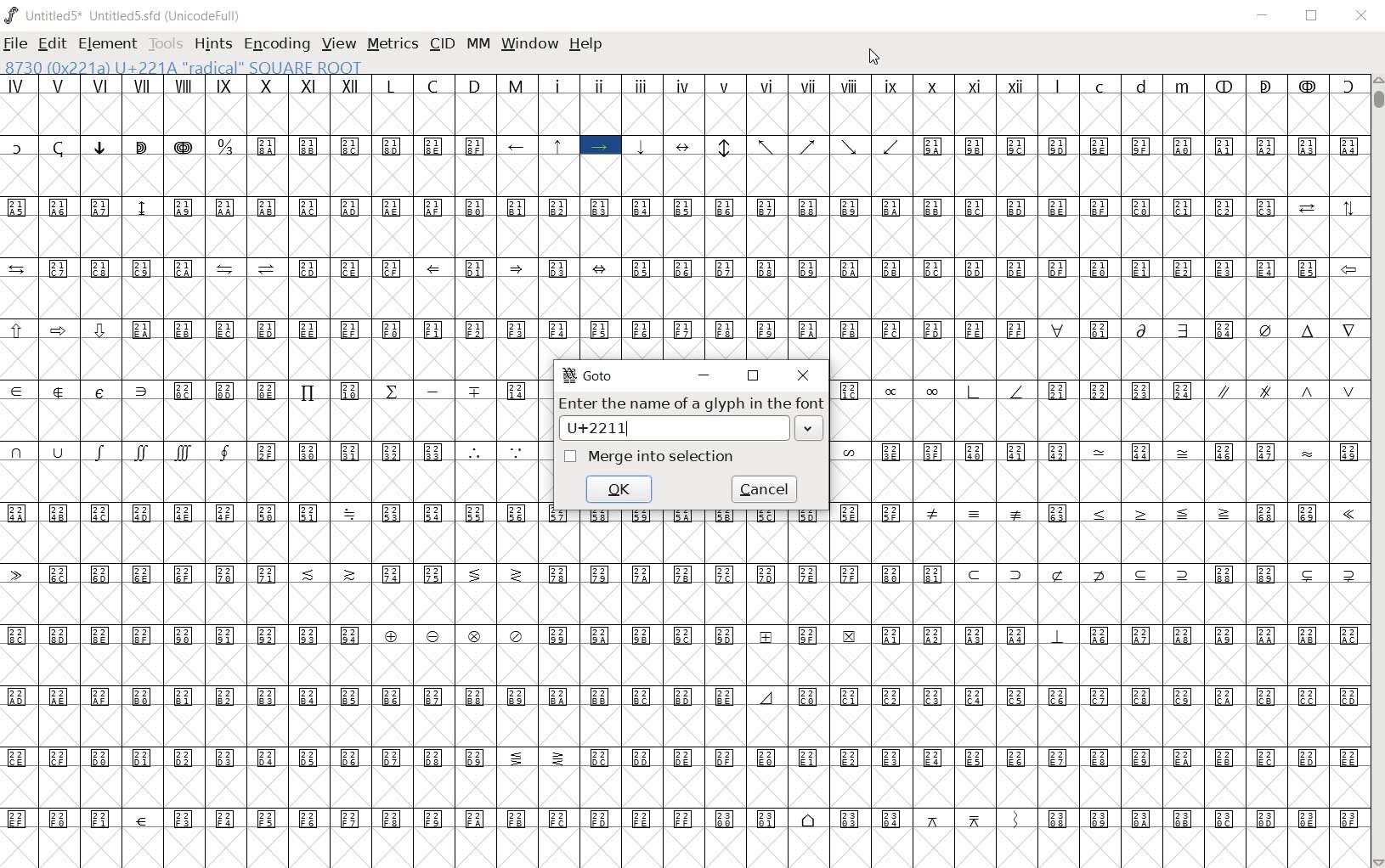  I want to click on ELEMENT, so click(109, 43).